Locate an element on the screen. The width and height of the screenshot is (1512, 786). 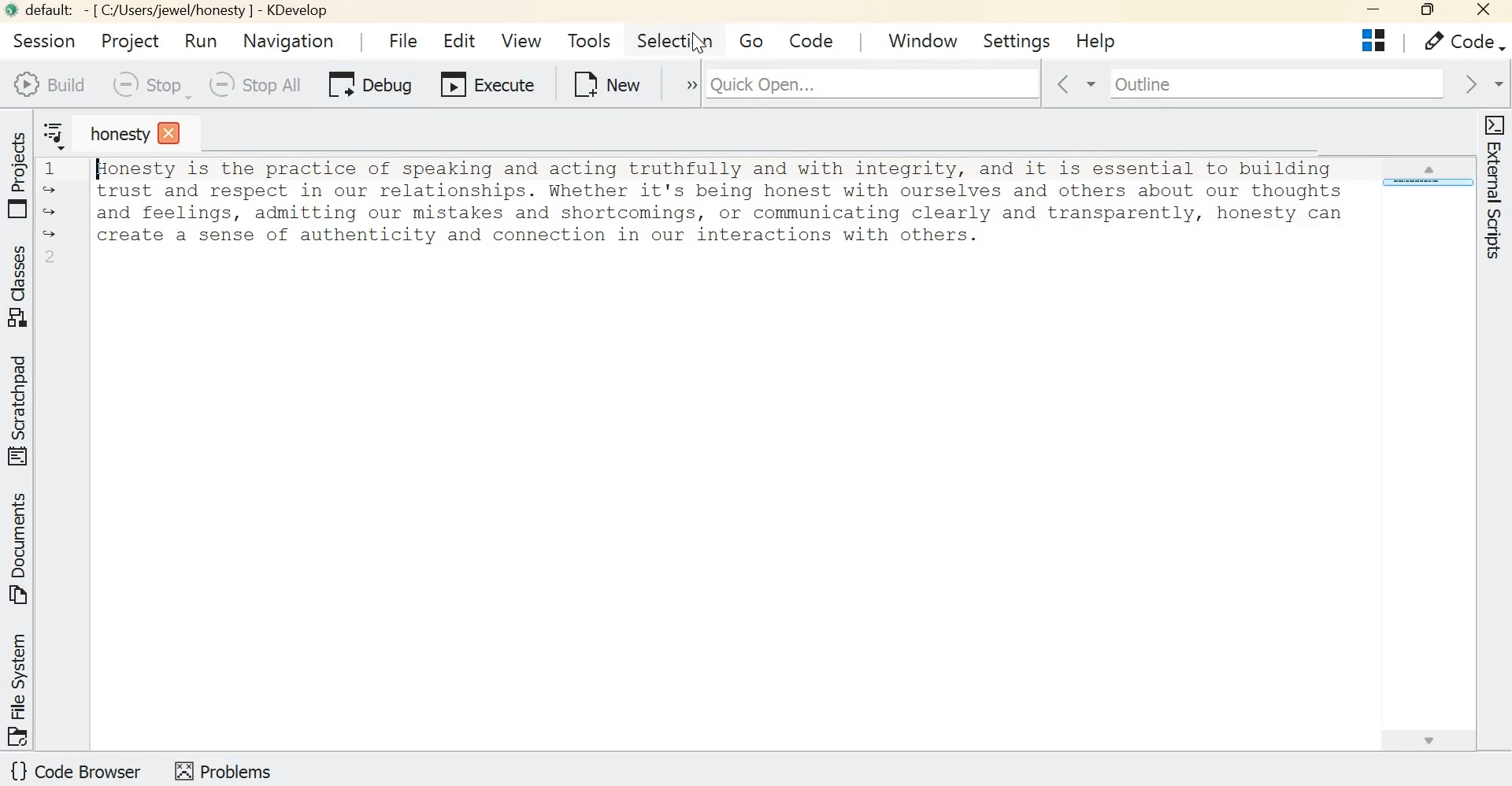
default: - [C:/Users/jewel/honesty] - KDevelop is located at coordinates (175, 11).